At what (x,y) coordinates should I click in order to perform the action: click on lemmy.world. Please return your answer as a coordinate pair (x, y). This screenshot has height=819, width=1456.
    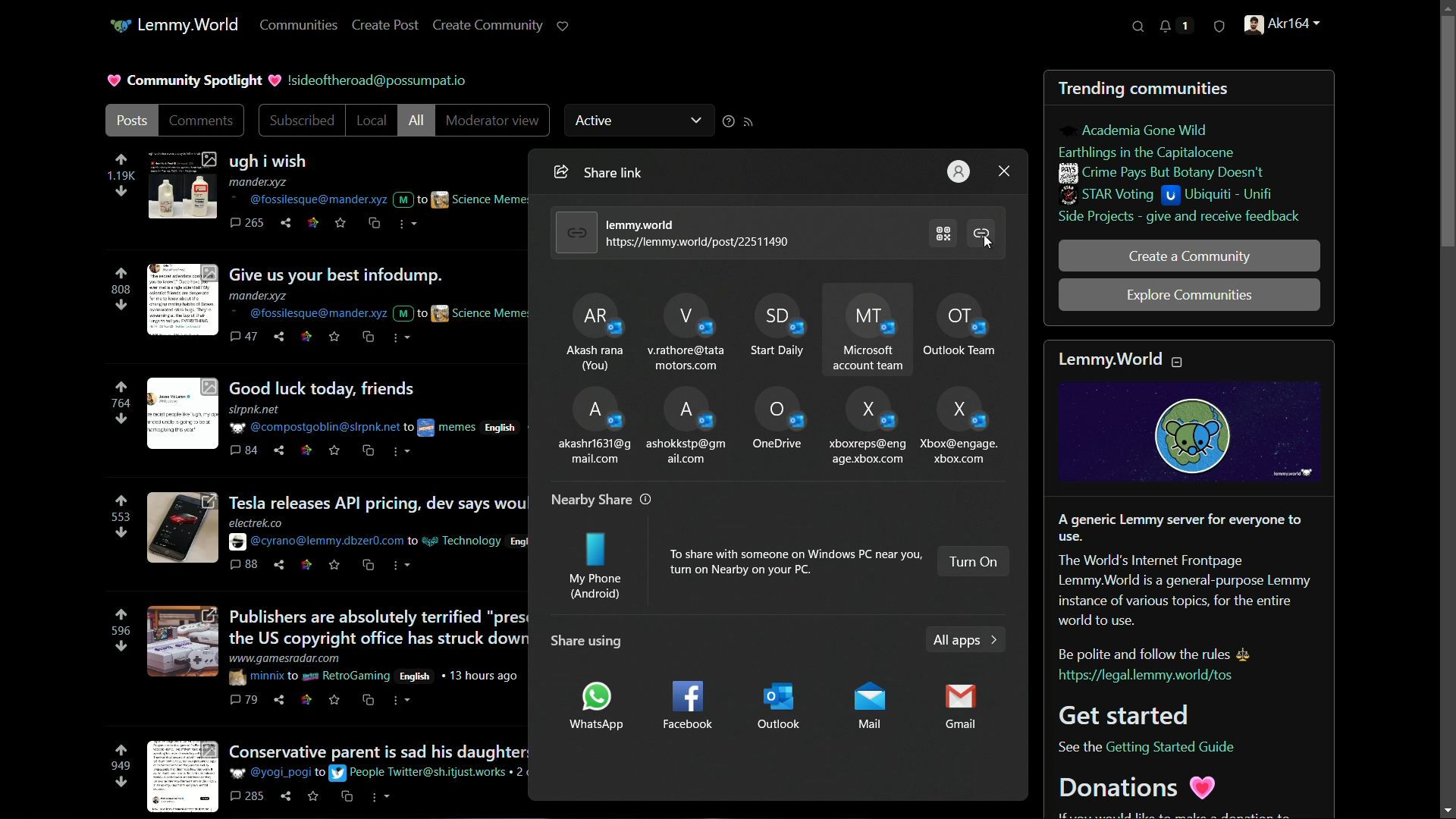
    Looking at the image, I should click on (174, 27).